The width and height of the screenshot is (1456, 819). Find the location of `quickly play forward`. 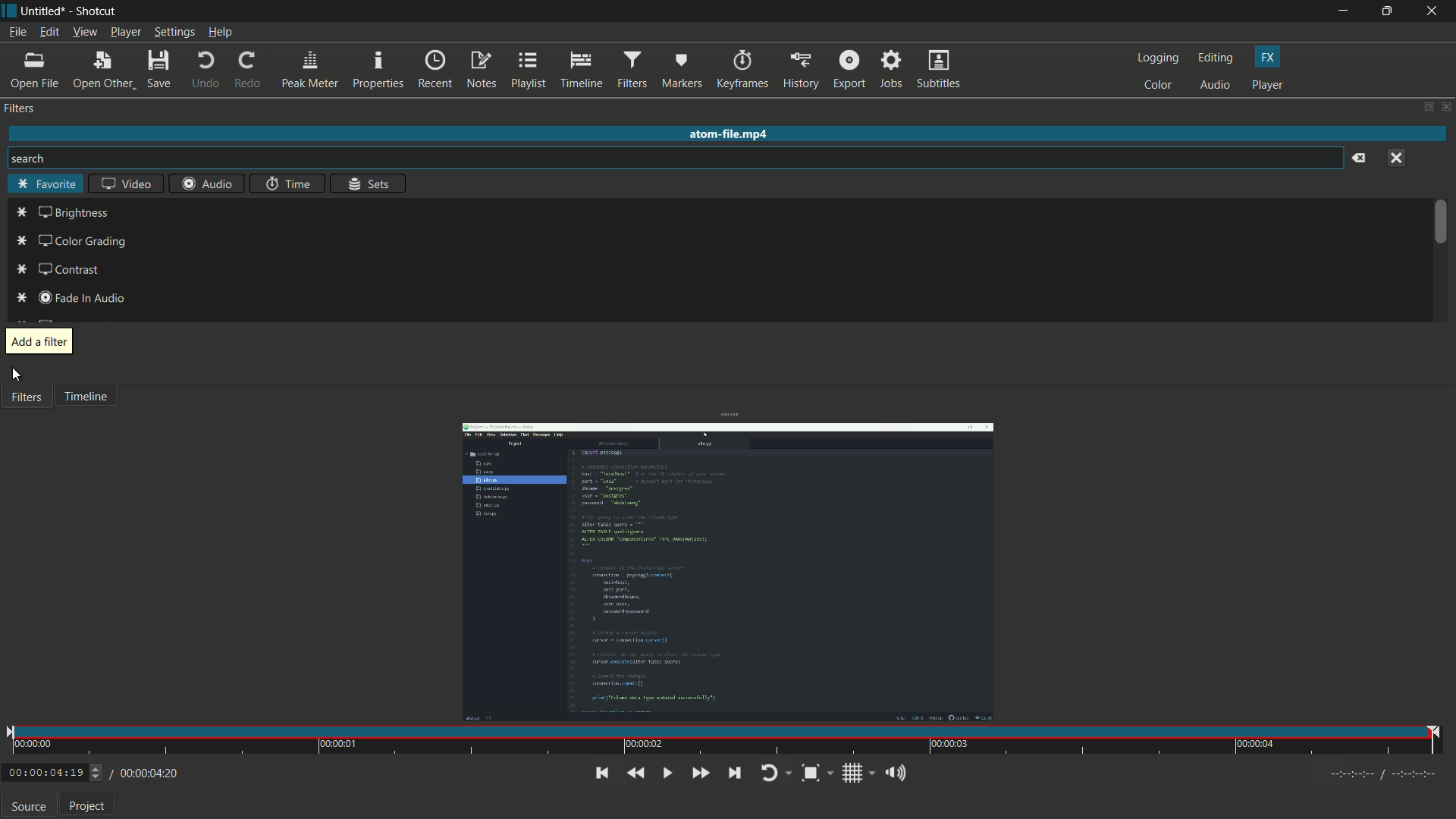

quickly play forward is located at coordinates (698, 773).